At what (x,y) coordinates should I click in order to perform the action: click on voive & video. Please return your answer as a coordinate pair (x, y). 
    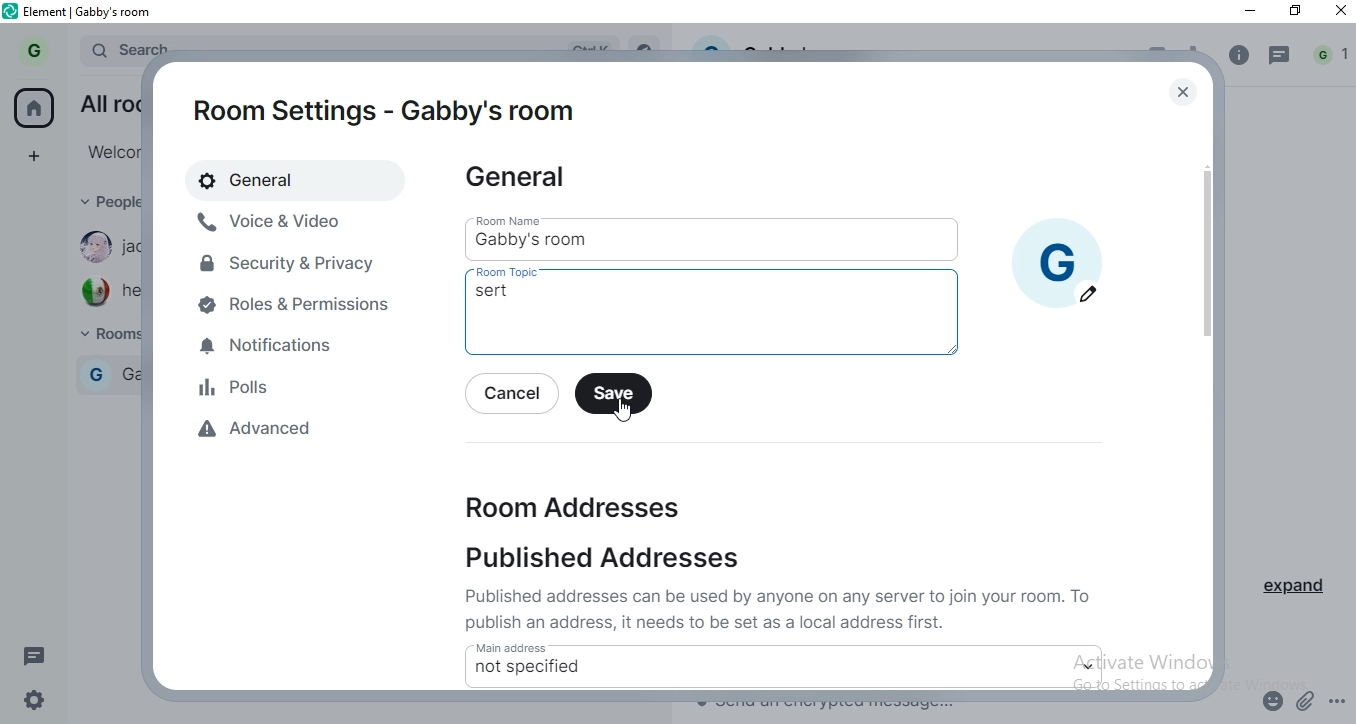
    Looking at the image, I should click on (277, 221).